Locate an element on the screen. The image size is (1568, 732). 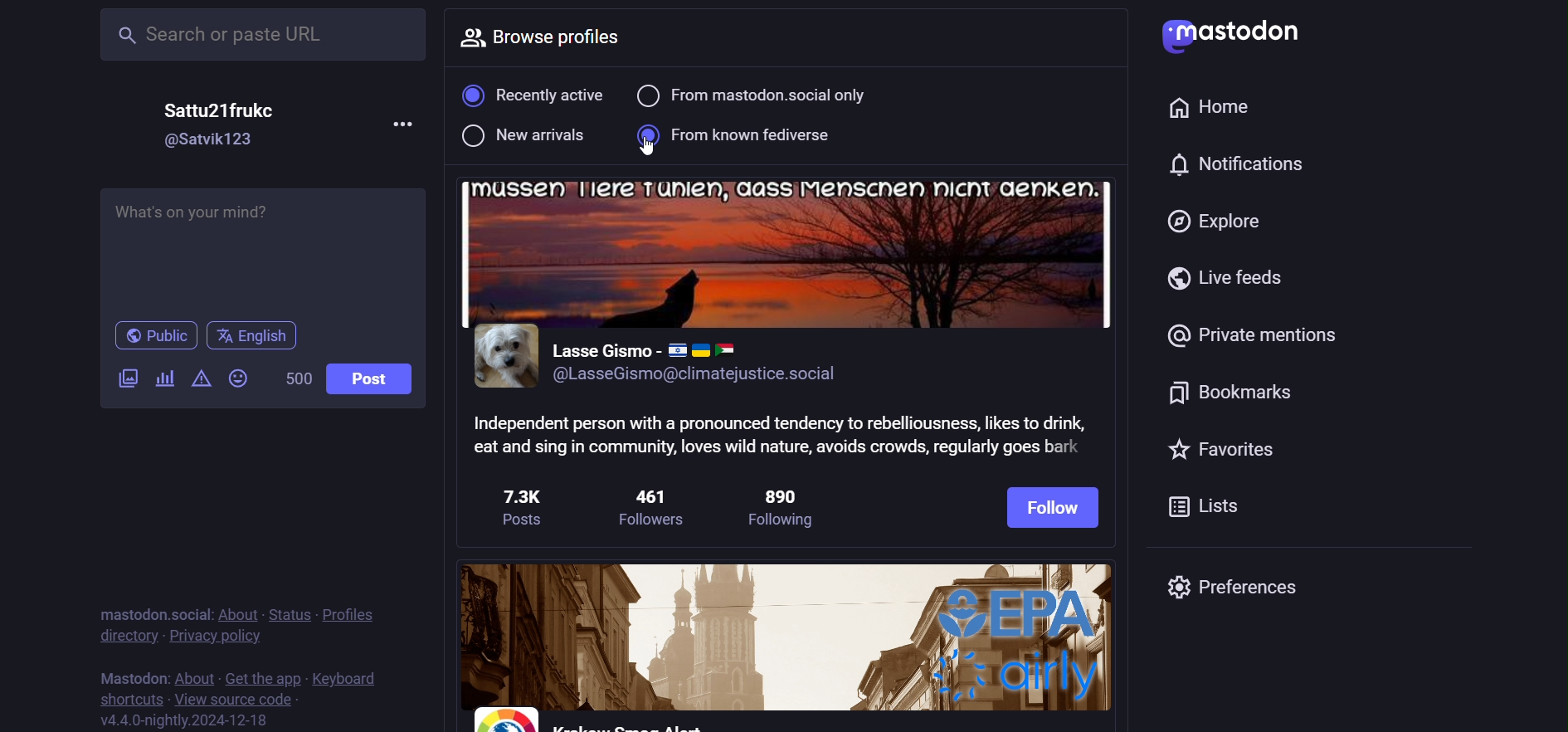
version is located at coordinates (185, 720).